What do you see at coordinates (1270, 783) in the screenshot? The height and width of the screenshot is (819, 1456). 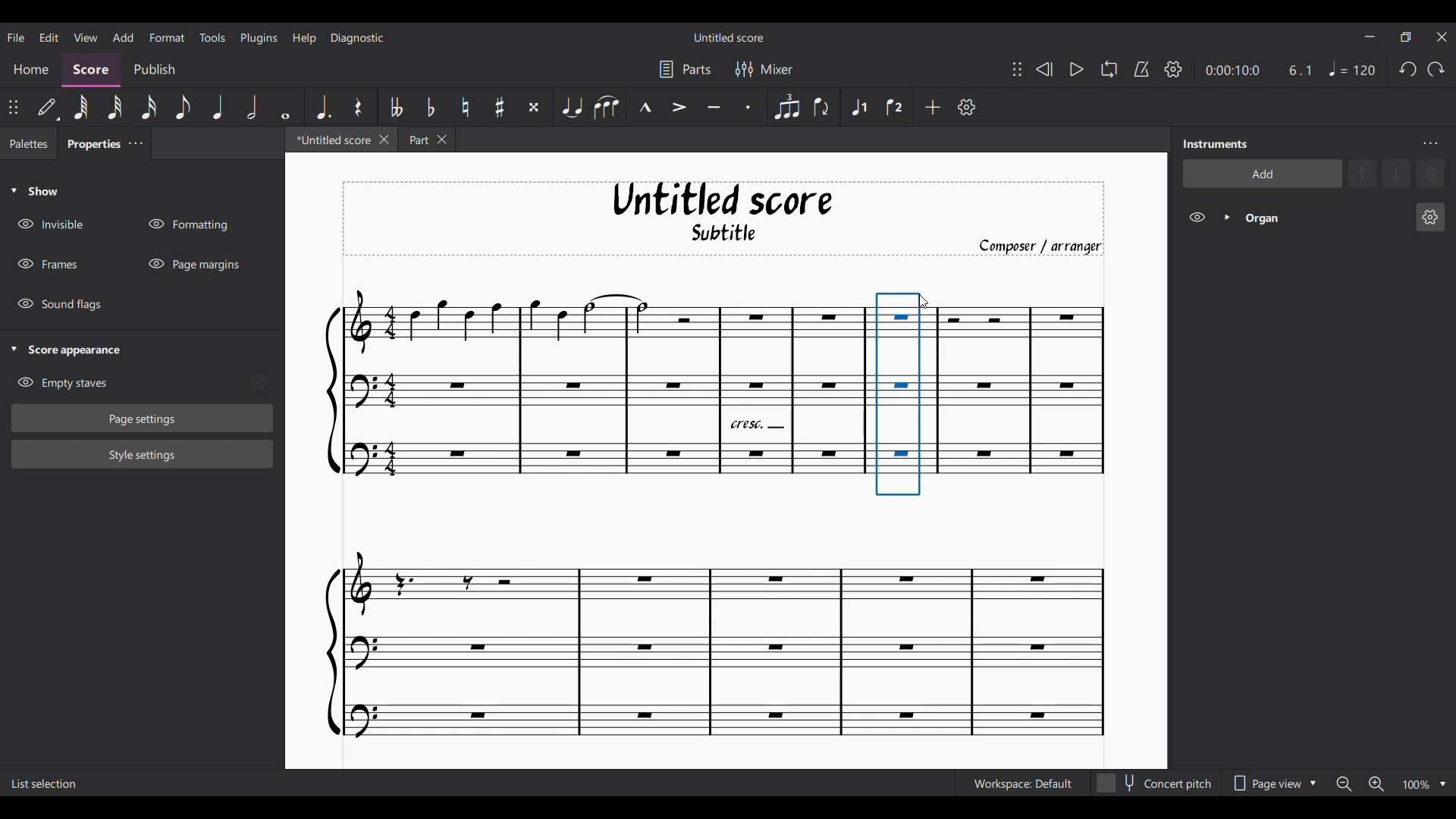 I see `Page view options` at bounding box center [1270, 783].